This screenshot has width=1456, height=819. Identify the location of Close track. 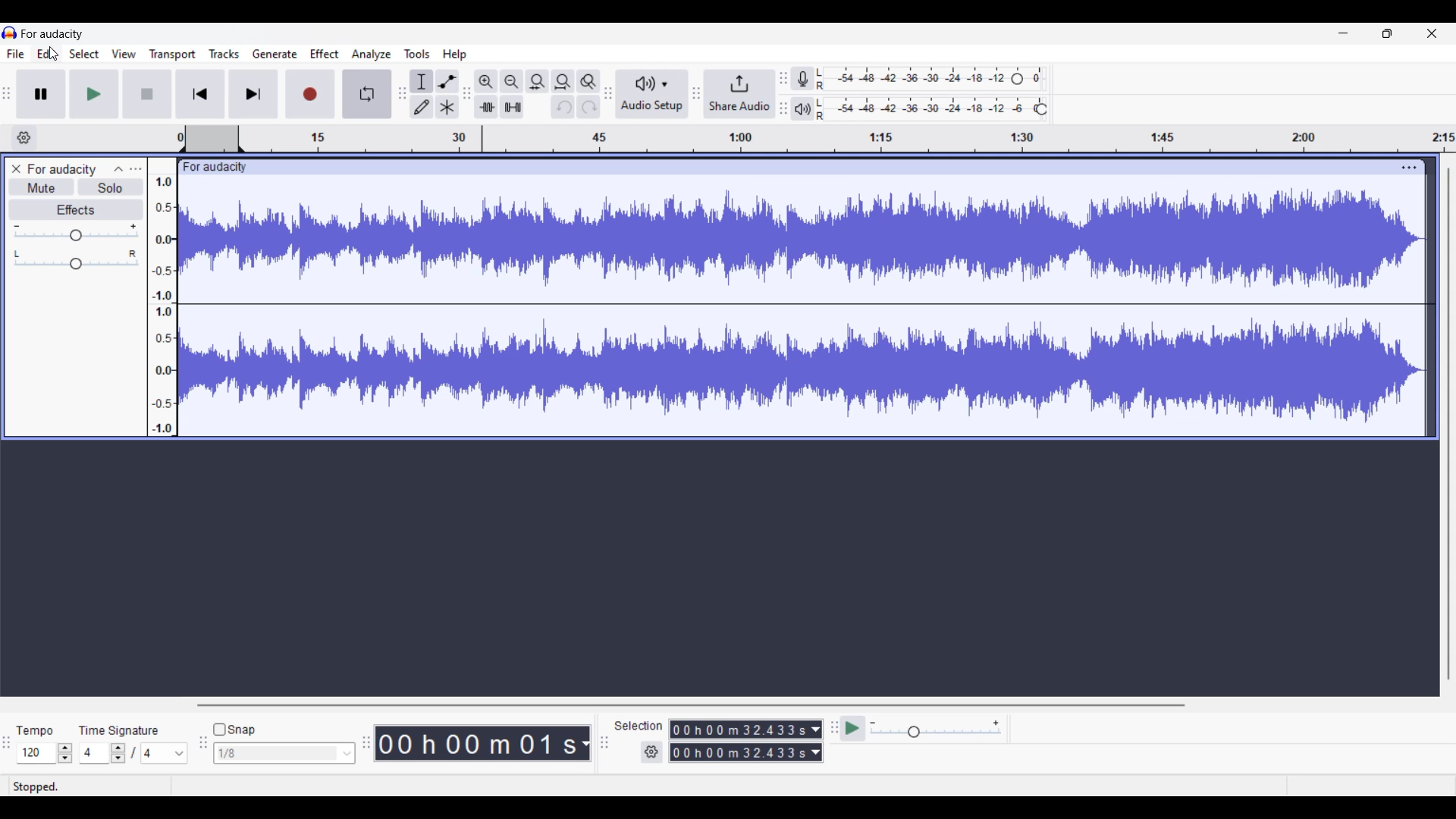
(17, 169).